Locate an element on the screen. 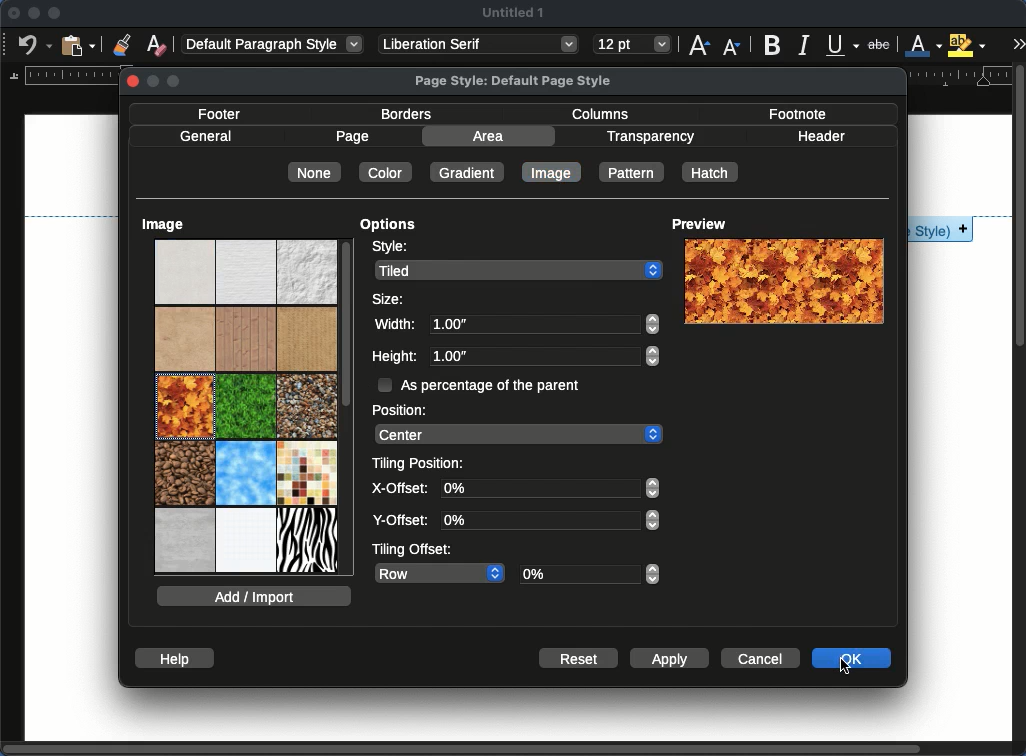  size is located at coordinates (389, 299).